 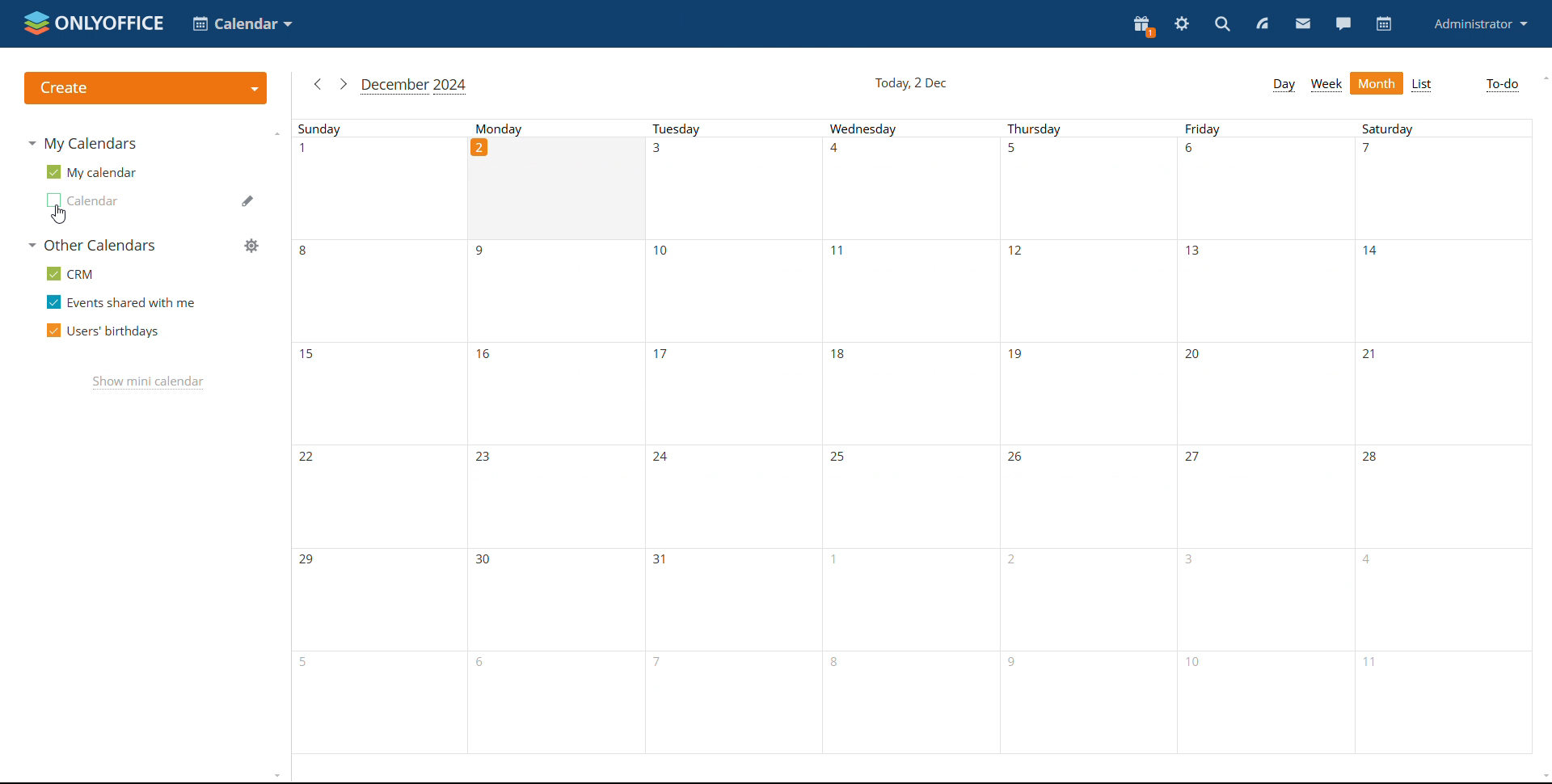 What do you see at coordinates (57, 216) in the screenshot?
I see `cursor` at bounding box center [57, 216].